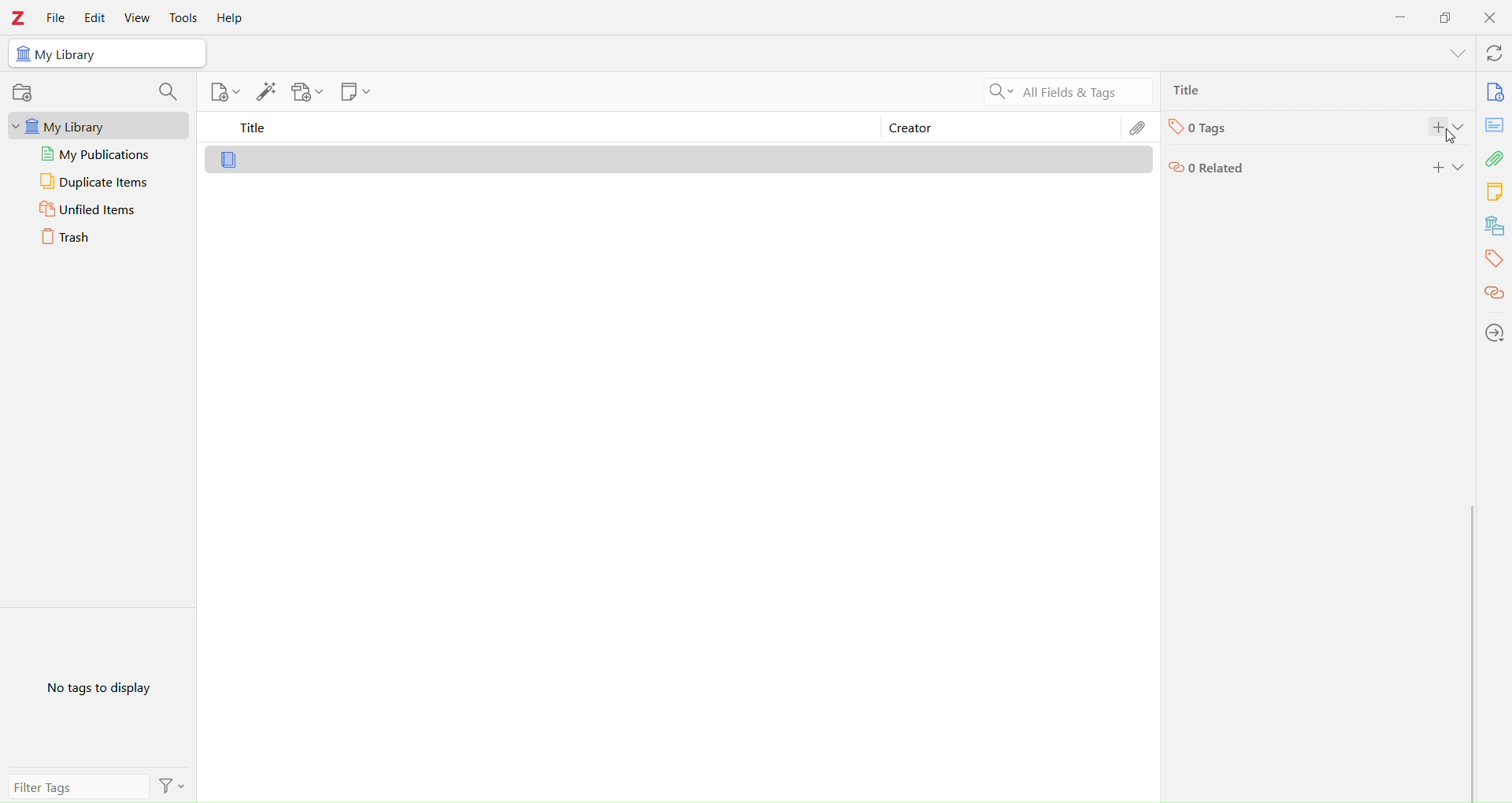  What do you see at coordinates (1460, 170) in the screenshot?
I see `Expand section` at bounding box center [1460, 170].